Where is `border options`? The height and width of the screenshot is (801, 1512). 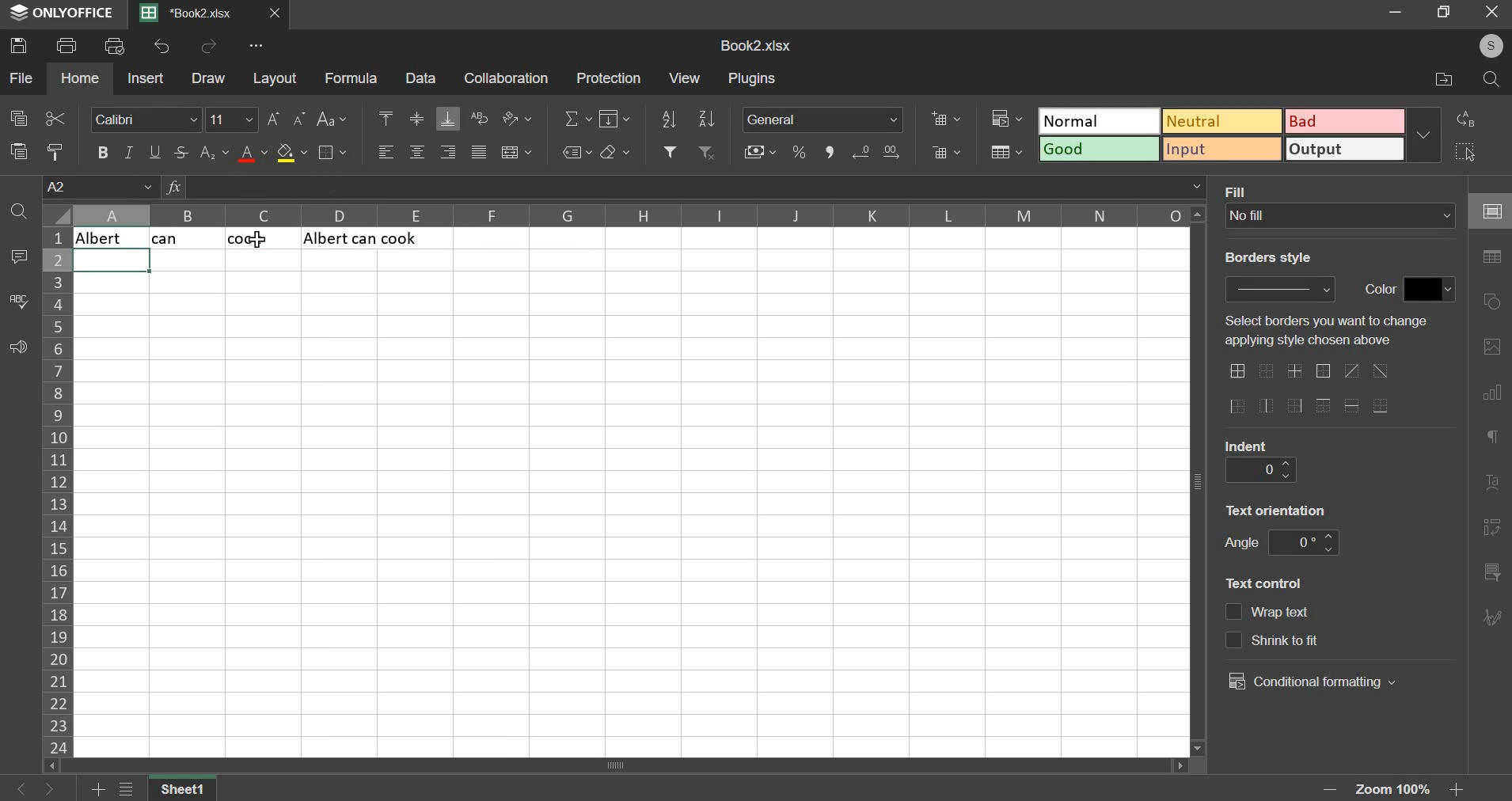 border options is located at coordinates (1316, 389).